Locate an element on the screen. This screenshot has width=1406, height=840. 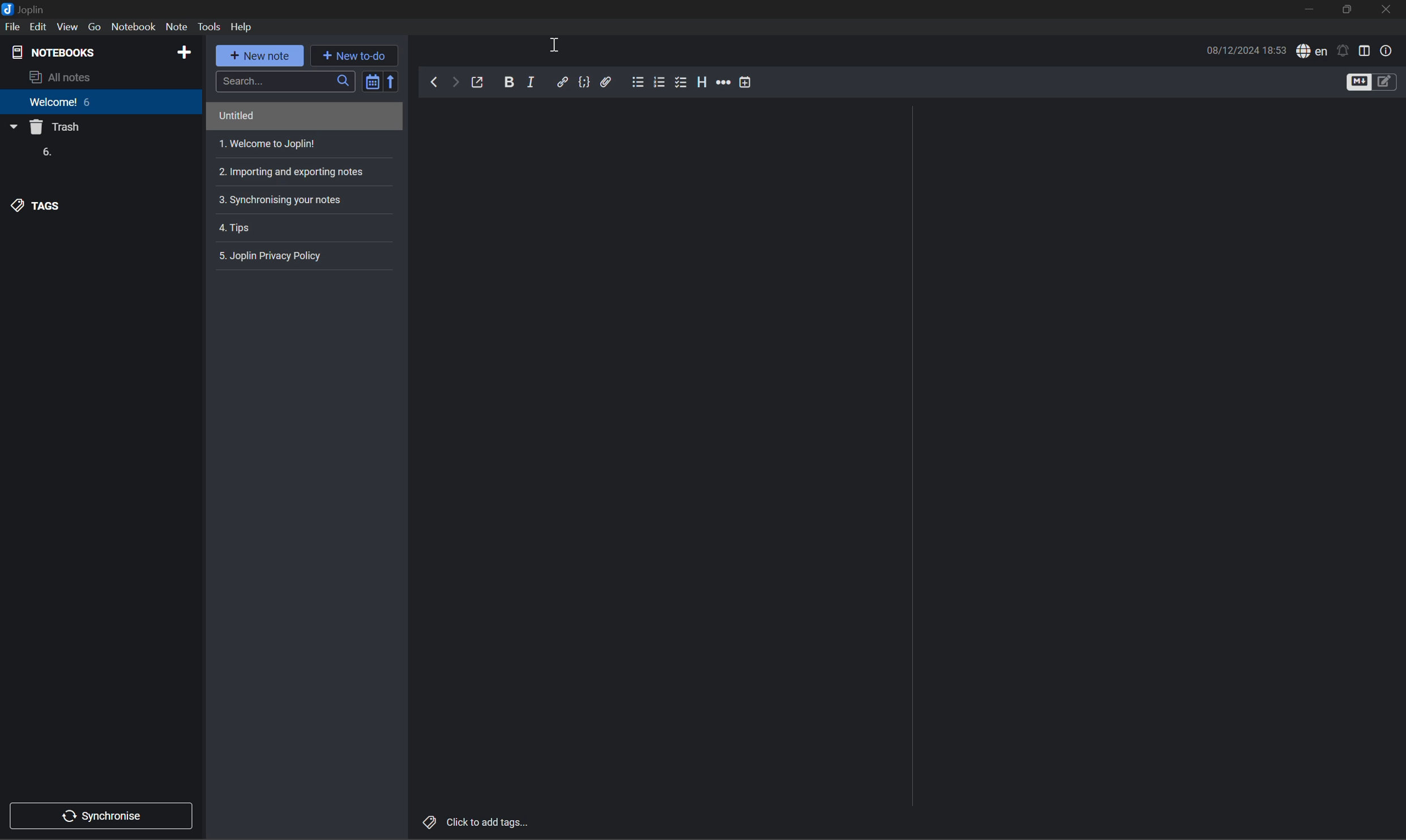
TAGS is located at coordinates (39, 205).